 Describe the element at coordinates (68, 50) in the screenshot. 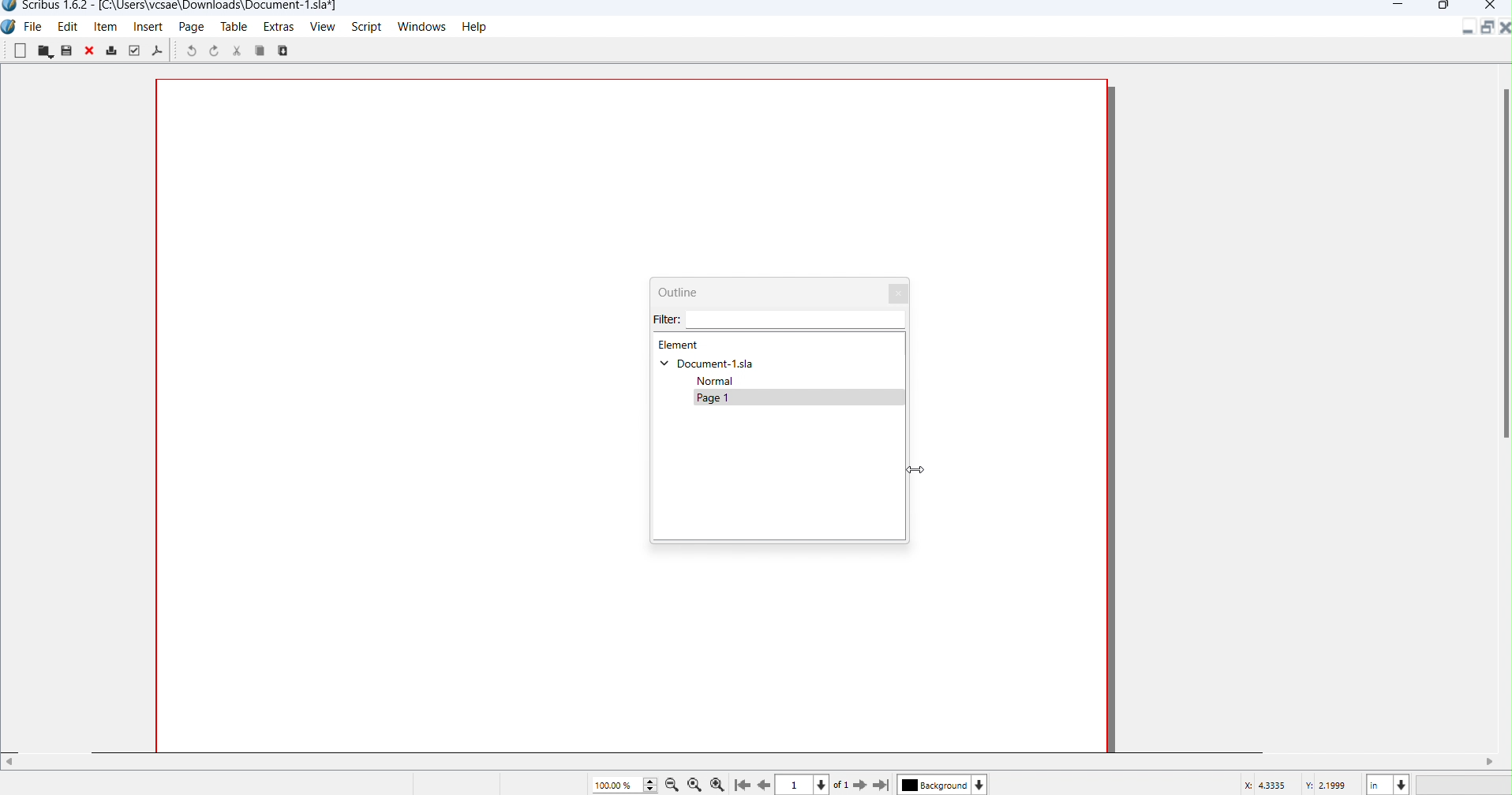

I see `` at that location.